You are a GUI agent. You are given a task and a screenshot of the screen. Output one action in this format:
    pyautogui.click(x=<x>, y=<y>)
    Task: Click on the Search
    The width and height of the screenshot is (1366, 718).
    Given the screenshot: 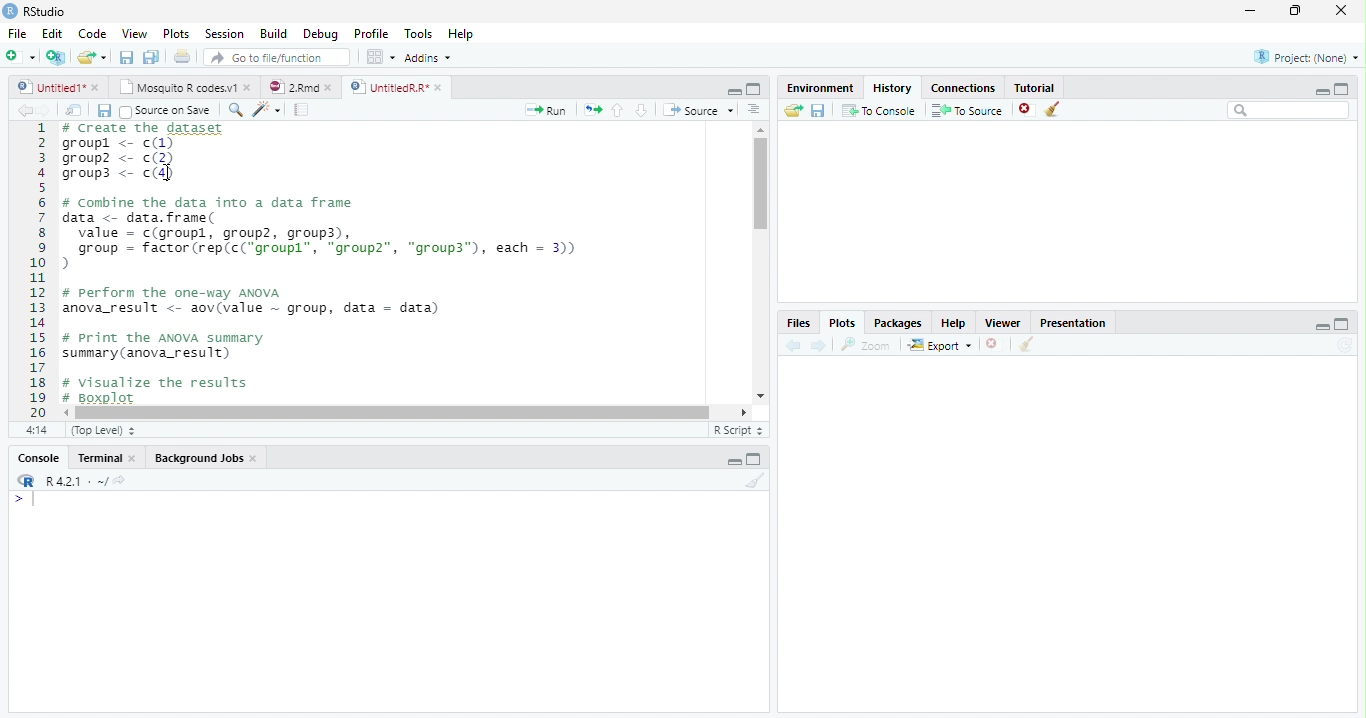 What is the action you would take?
    pyautogui.click(x=1289, y=111)
    